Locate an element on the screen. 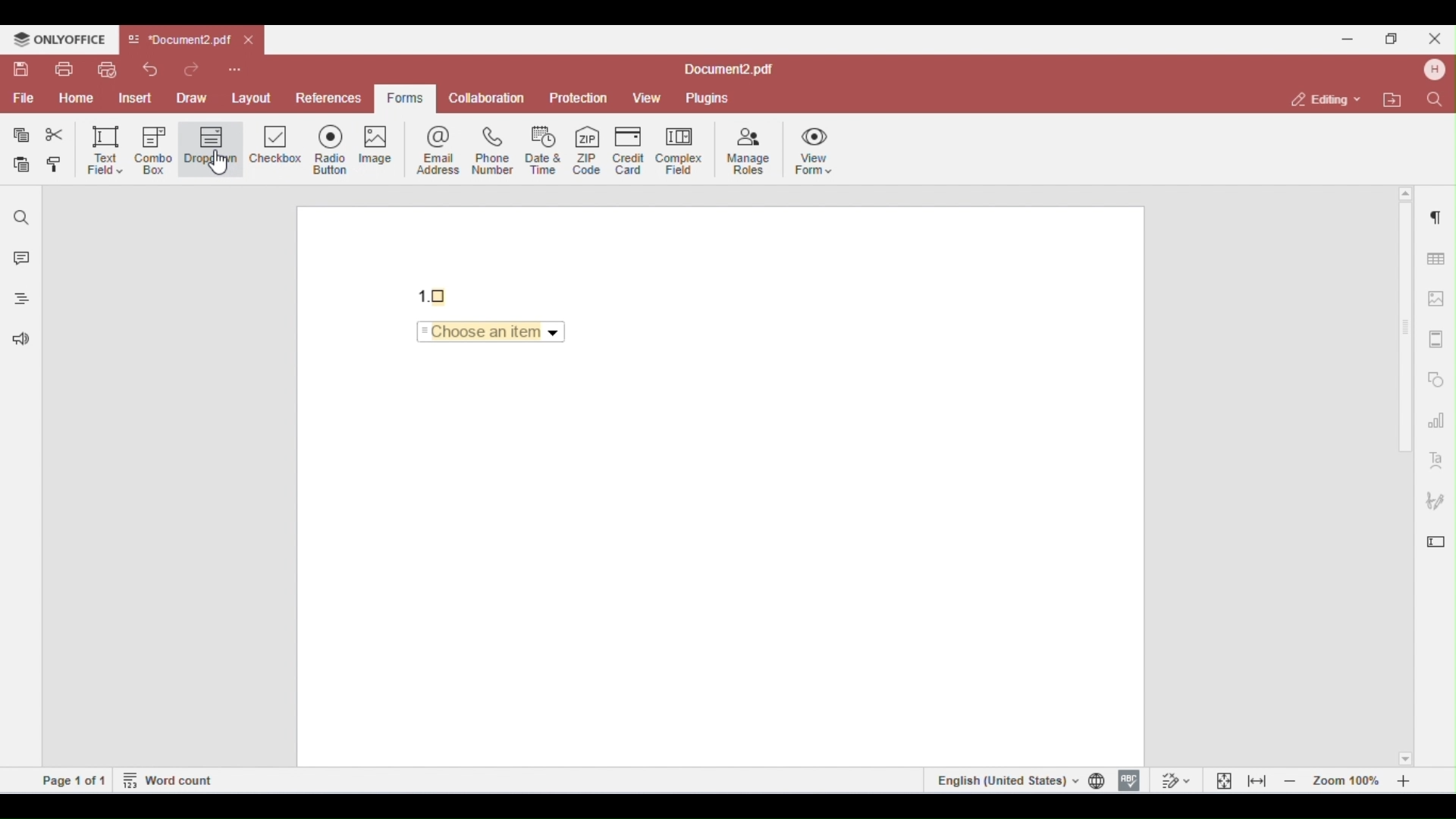 This screenshot has height=819, width=1456. paste is located at coordinates (23, 165).